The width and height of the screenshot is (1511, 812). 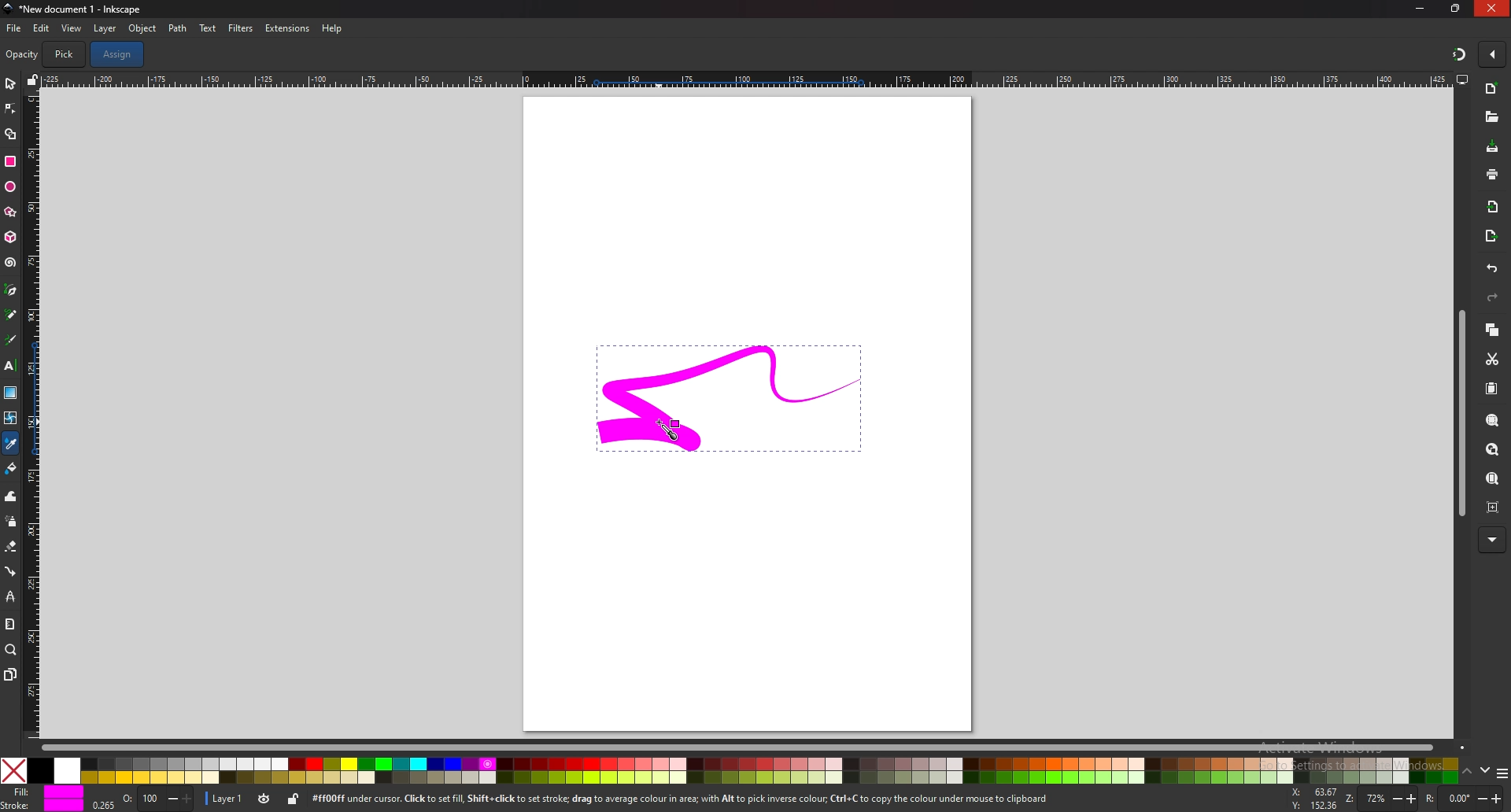 What do you see at coordinates (9, 161) in the screenshot?
I see `rectangle` at bounding box center [9, 161].